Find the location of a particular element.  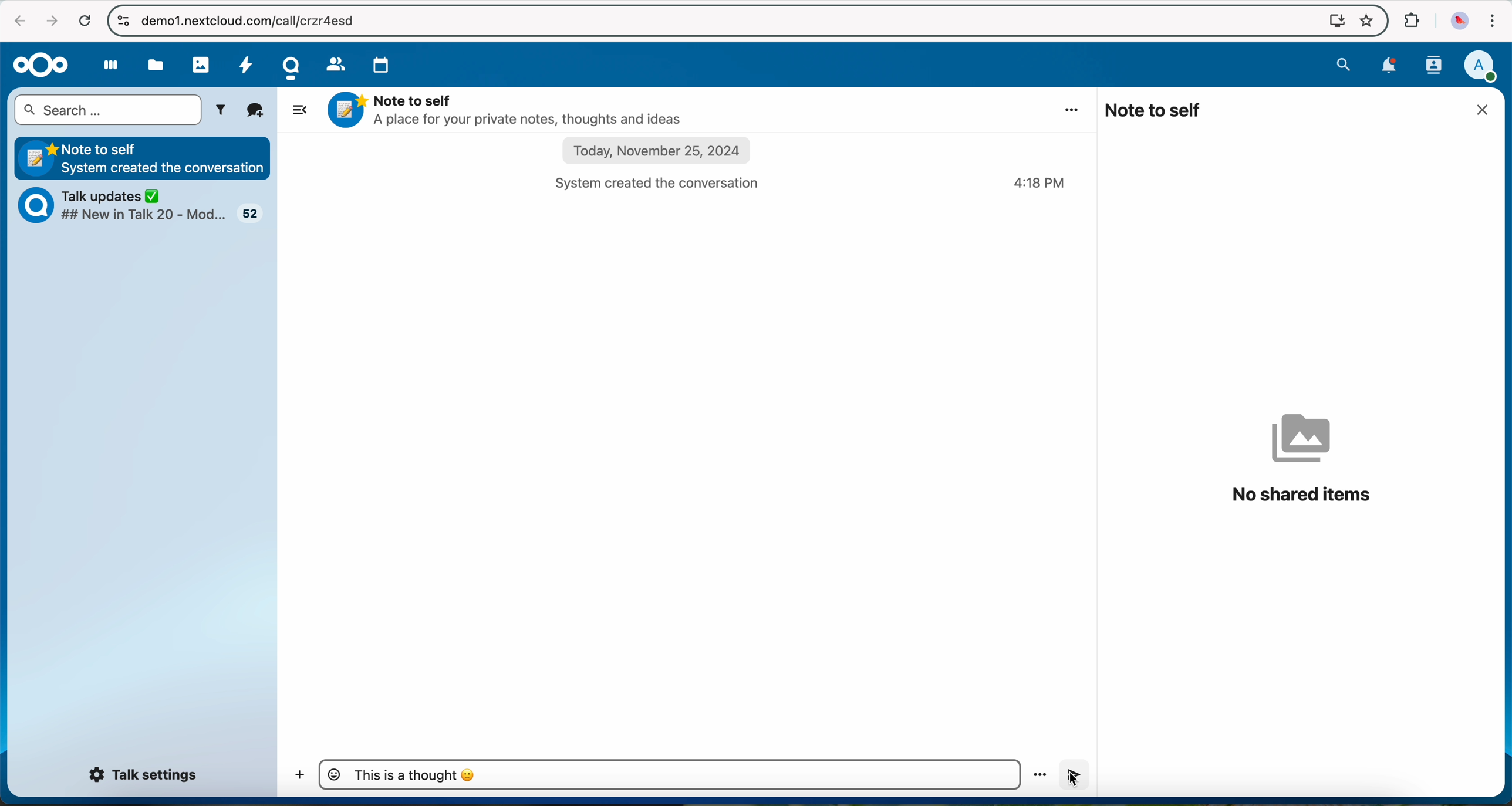

Talk updates is located at coordinates (148, 208).